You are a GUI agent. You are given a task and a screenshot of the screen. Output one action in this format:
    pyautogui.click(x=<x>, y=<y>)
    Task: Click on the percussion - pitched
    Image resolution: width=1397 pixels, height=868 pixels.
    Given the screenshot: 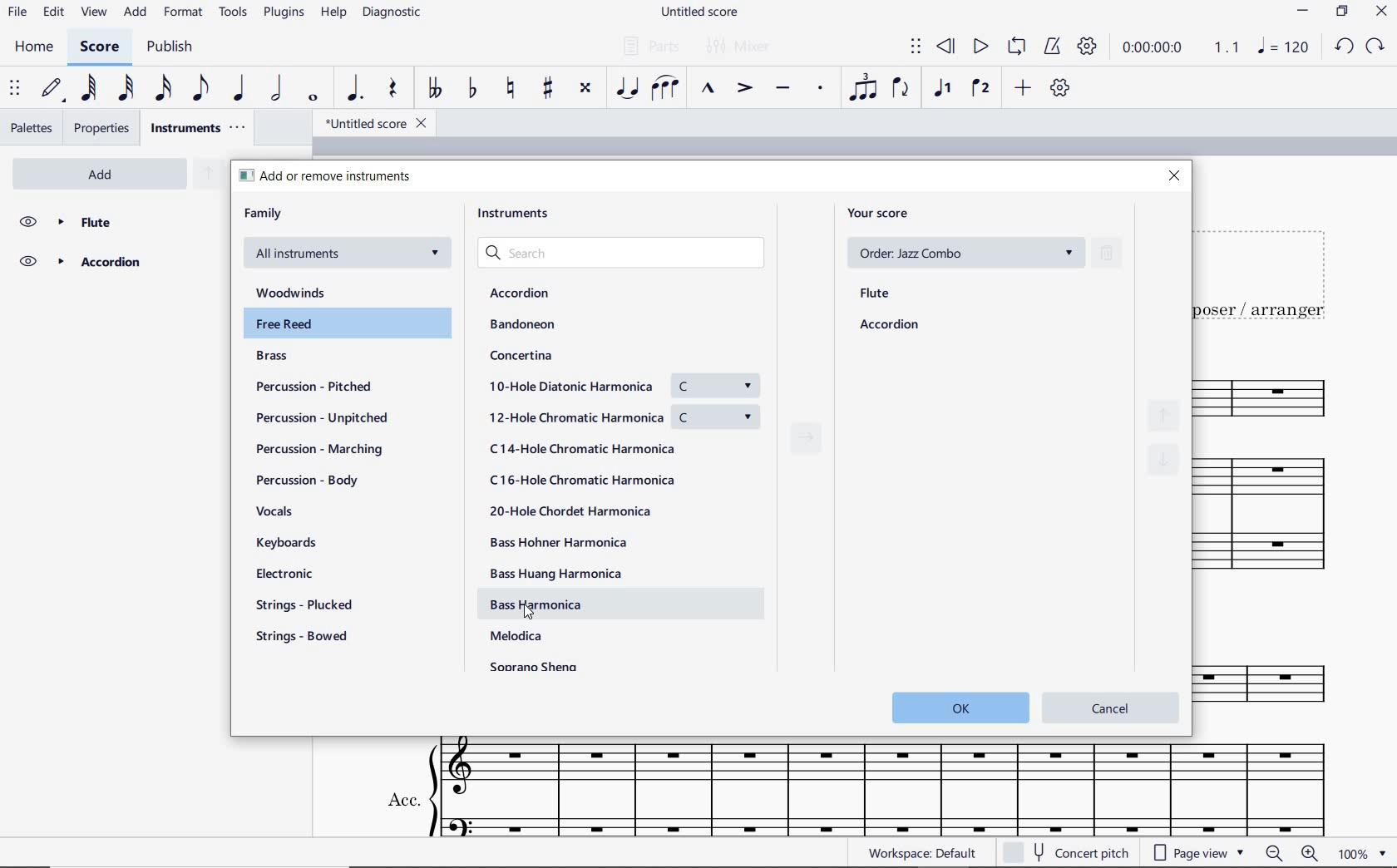 What is the action you would take?
    pyautogui.click(x=313, y=386)
    